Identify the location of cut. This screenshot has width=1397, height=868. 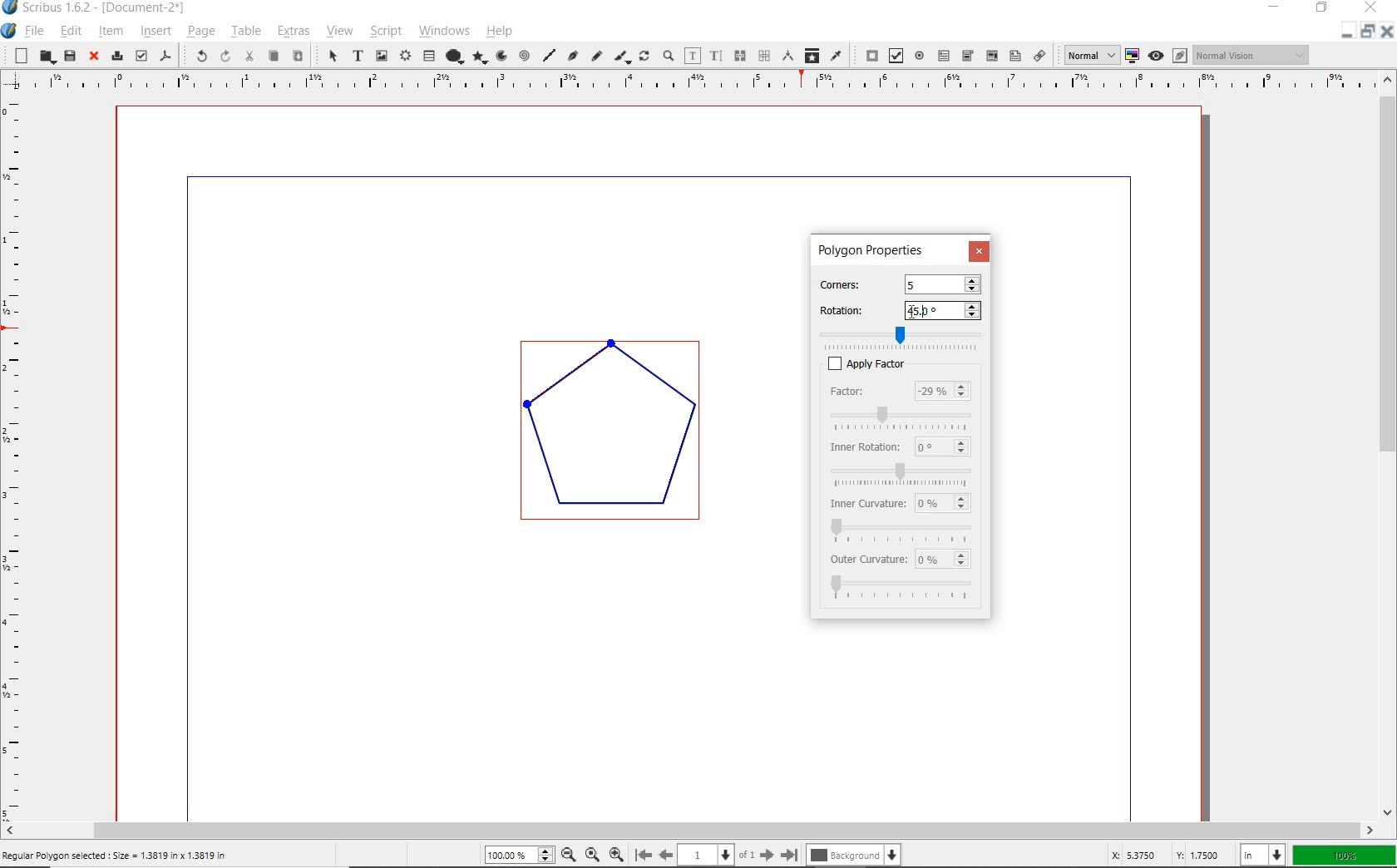
(251, 57).